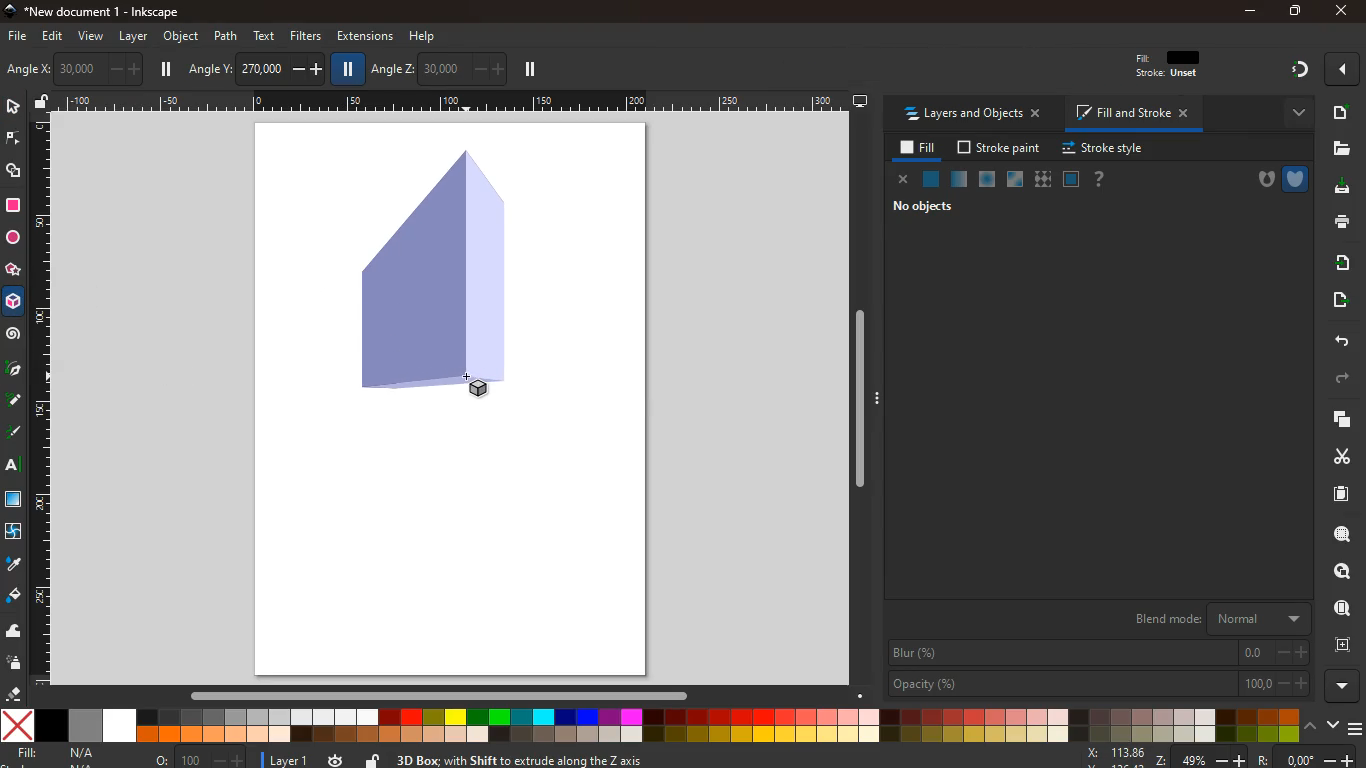  Describe the element at coordinates (1124, 756) in the screenshot. I see `zoom` at that location.